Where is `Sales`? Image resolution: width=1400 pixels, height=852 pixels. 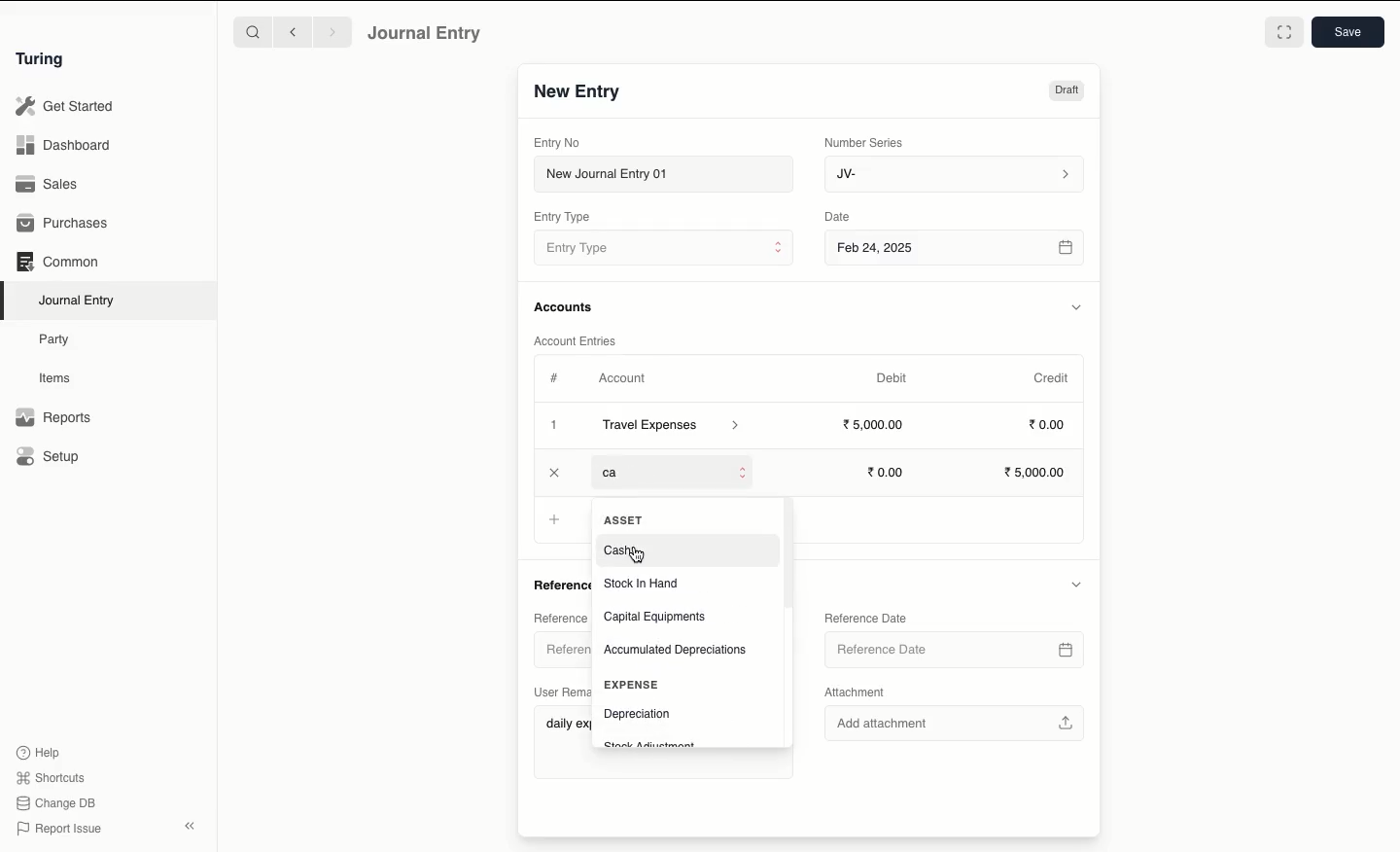 Sales is located at coordinates (50, 184).